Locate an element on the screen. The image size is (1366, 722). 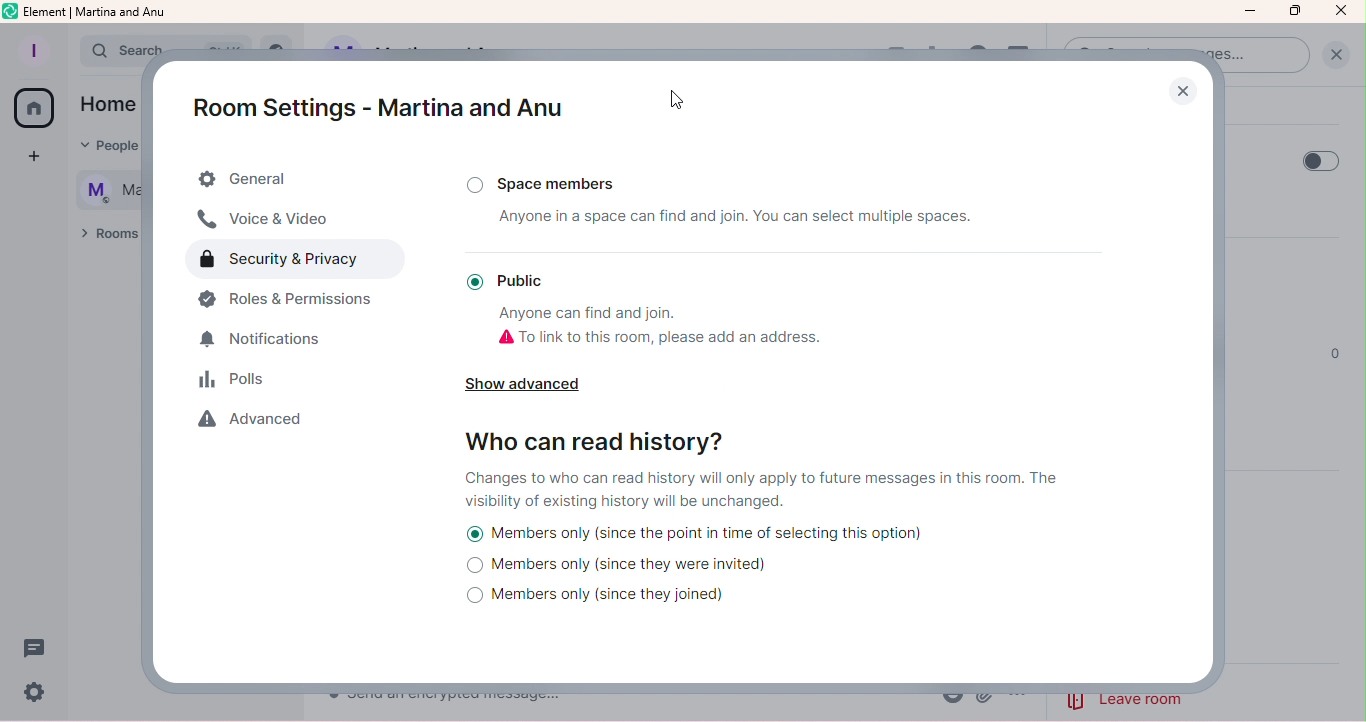
Cursor is located at coordinates (673, 100).